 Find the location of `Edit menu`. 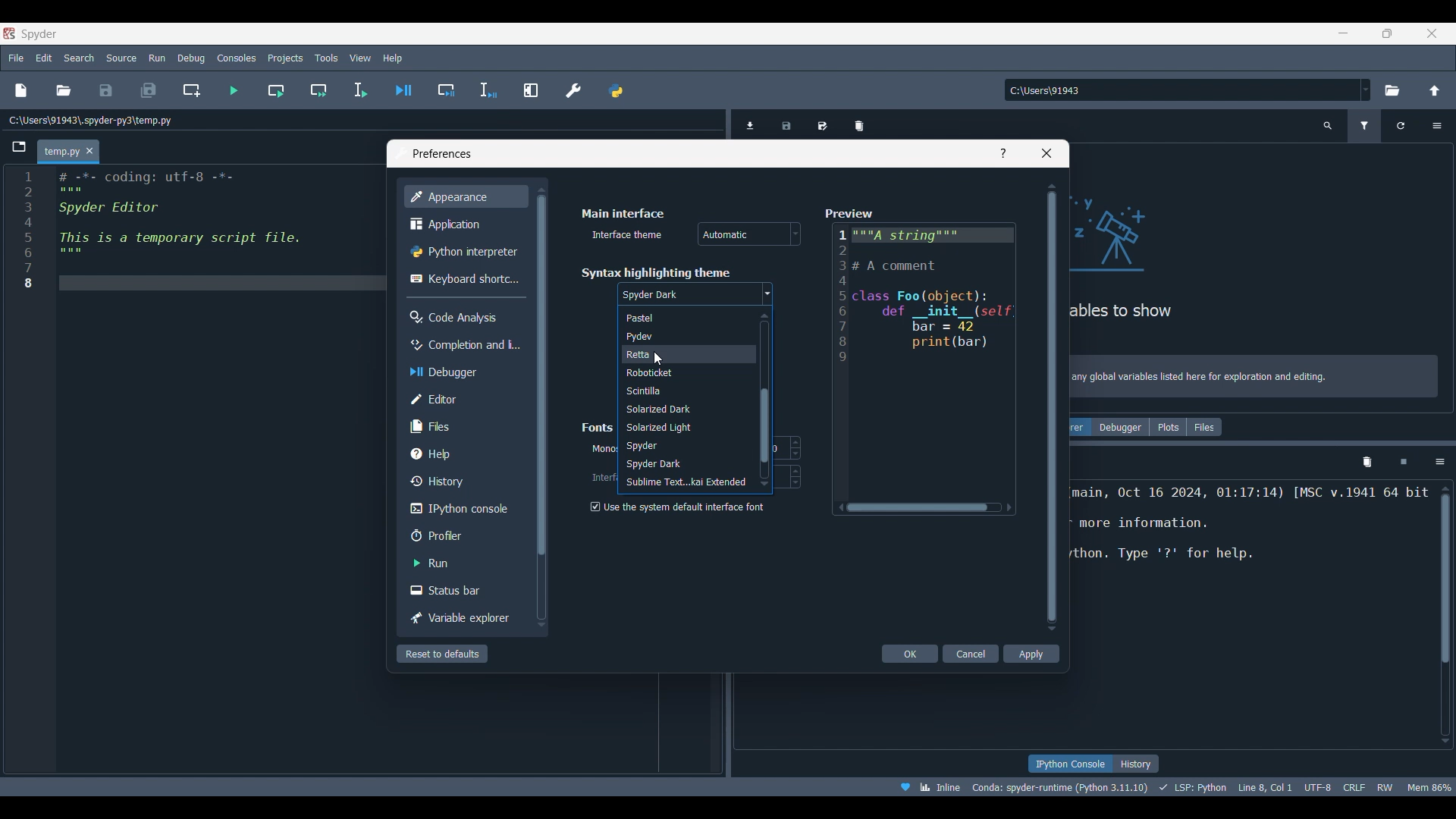

Edit menu is located at coordinates (43, 58).